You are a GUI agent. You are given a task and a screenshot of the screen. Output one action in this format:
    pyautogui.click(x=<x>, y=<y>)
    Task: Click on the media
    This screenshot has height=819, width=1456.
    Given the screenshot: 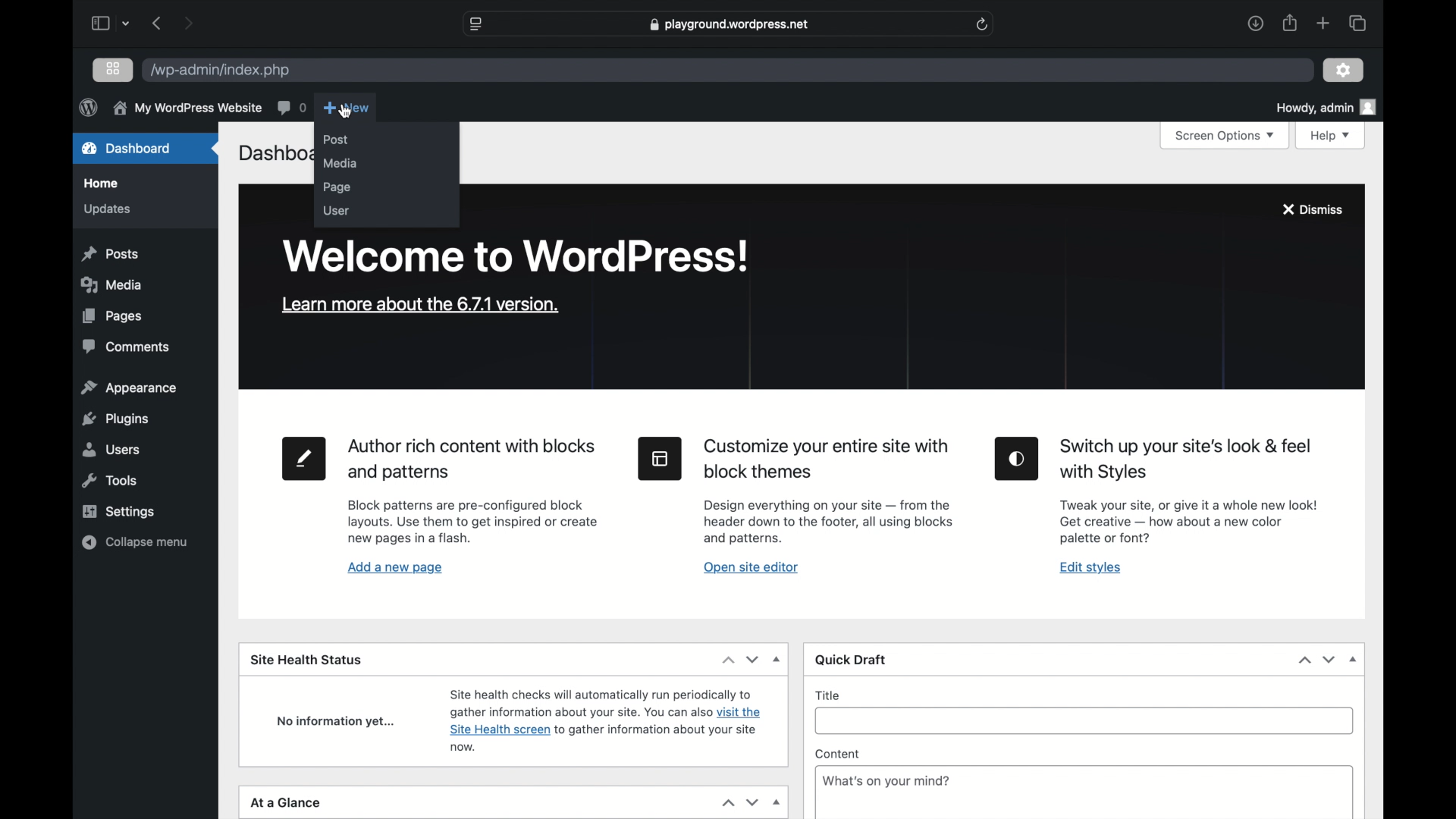 What is the action you would take?
    pyautogui.click(x=340, y=162)
    